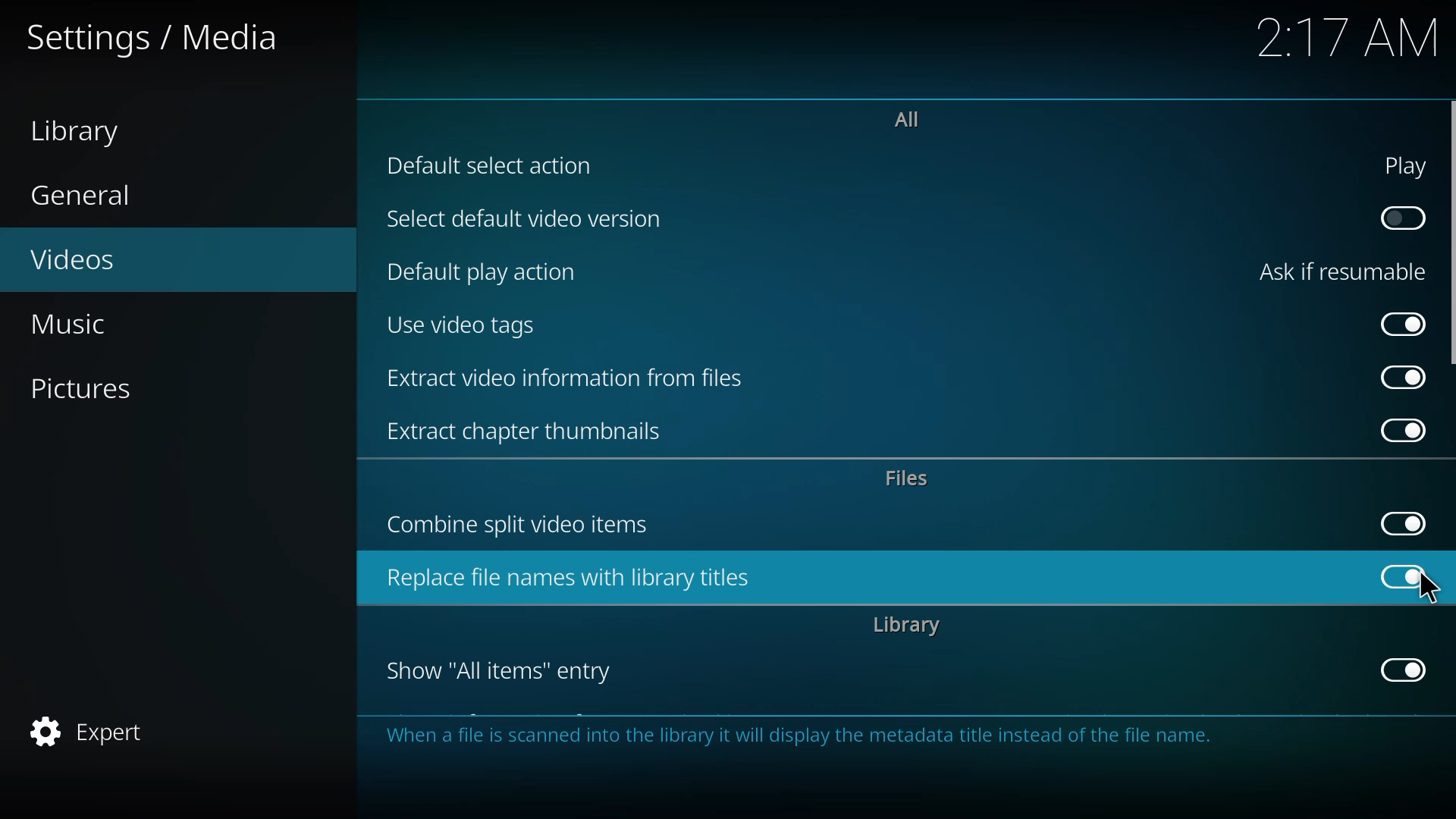 The height and width of the screenshot is (819, 1456). I want to click on combine split video items, so click(528, 526).